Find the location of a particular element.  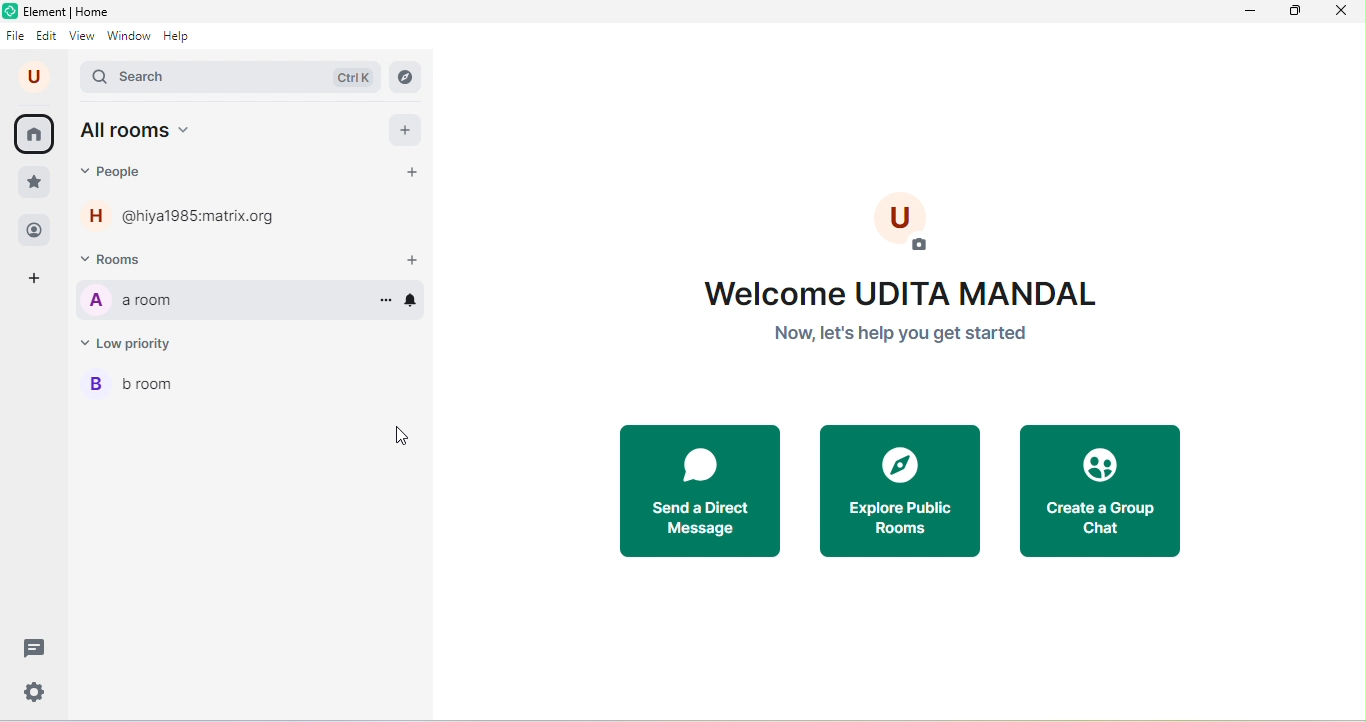

add room is located at coordinates (415, 260).